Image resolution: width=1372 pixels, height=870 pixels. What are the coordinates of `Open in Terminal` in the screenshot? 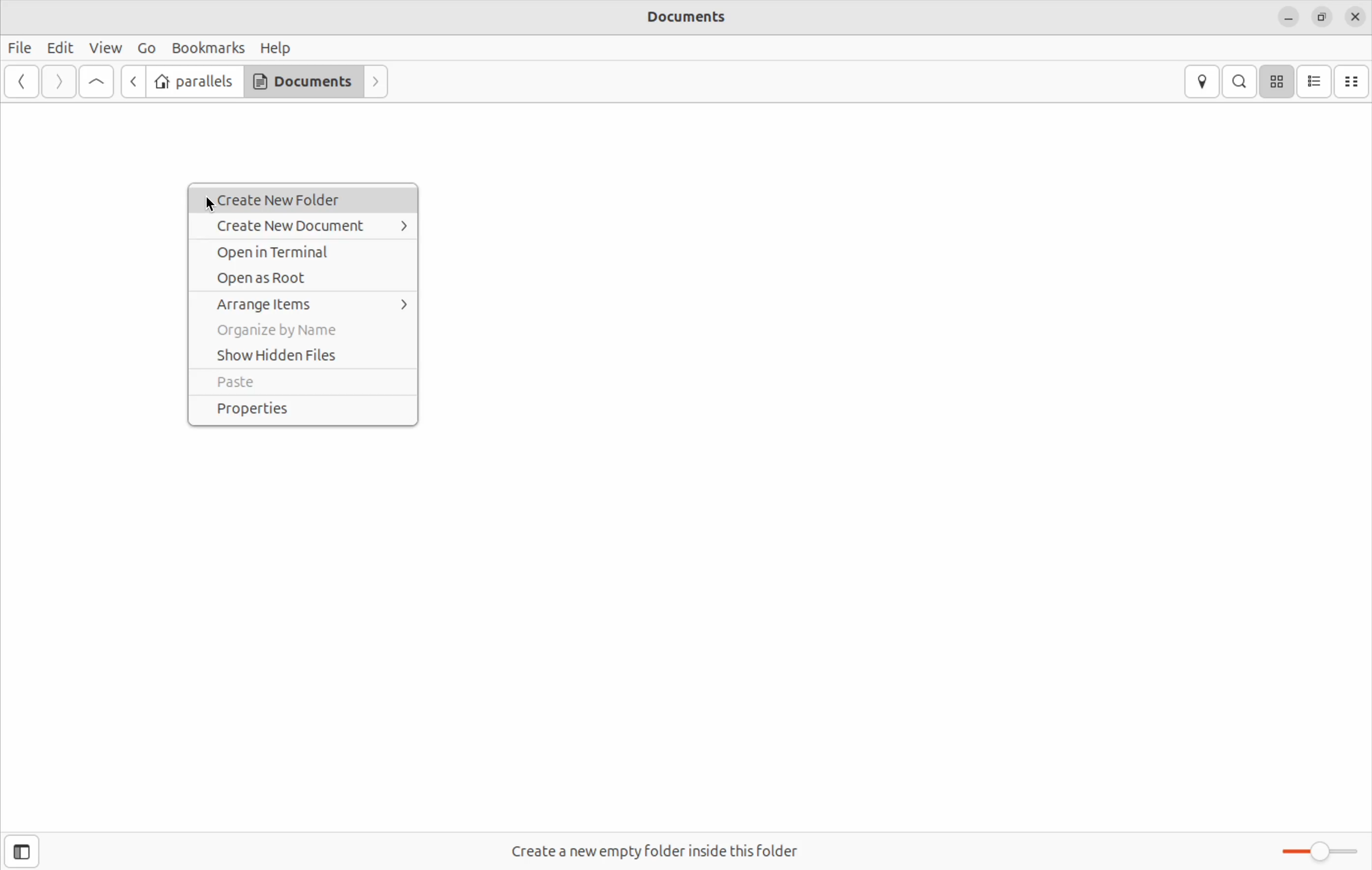 It's located at (308, 254).